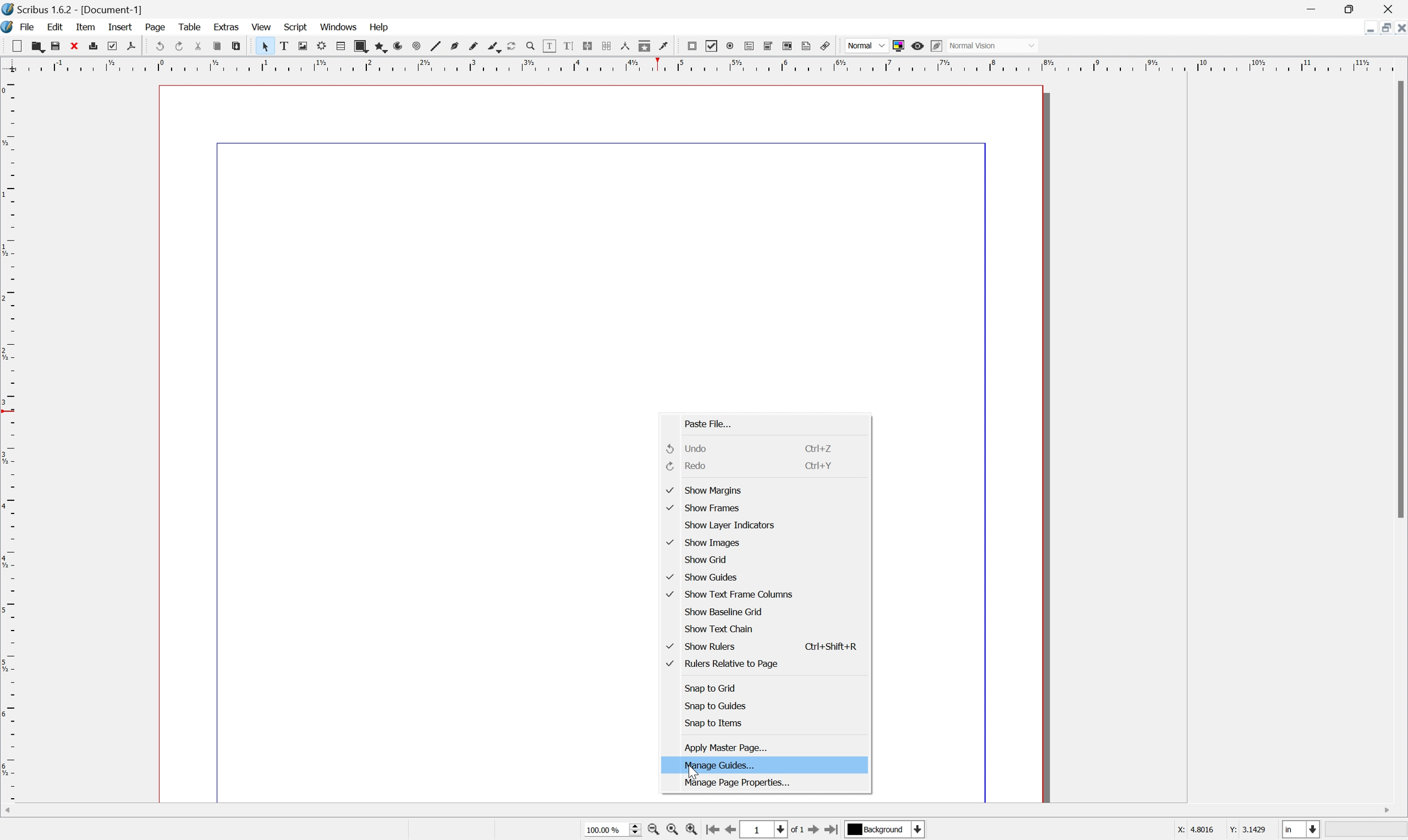 The width and height of the screenshot is (1408, 840). I want to click on ctrl+shift+r, so click(833, 646).